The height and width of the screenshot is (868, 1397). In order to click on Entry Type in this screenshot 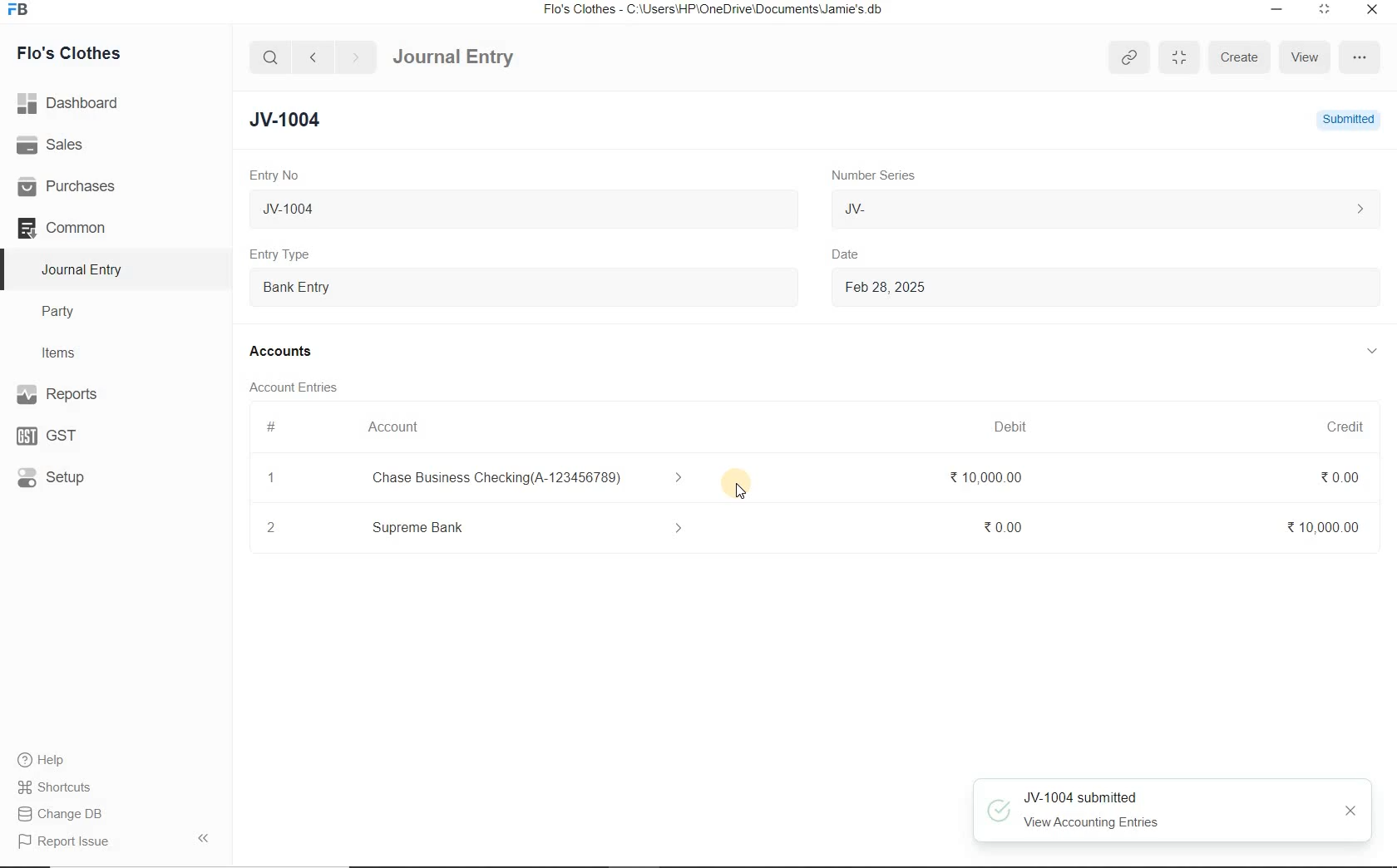, I will do `click(521, 285)`.